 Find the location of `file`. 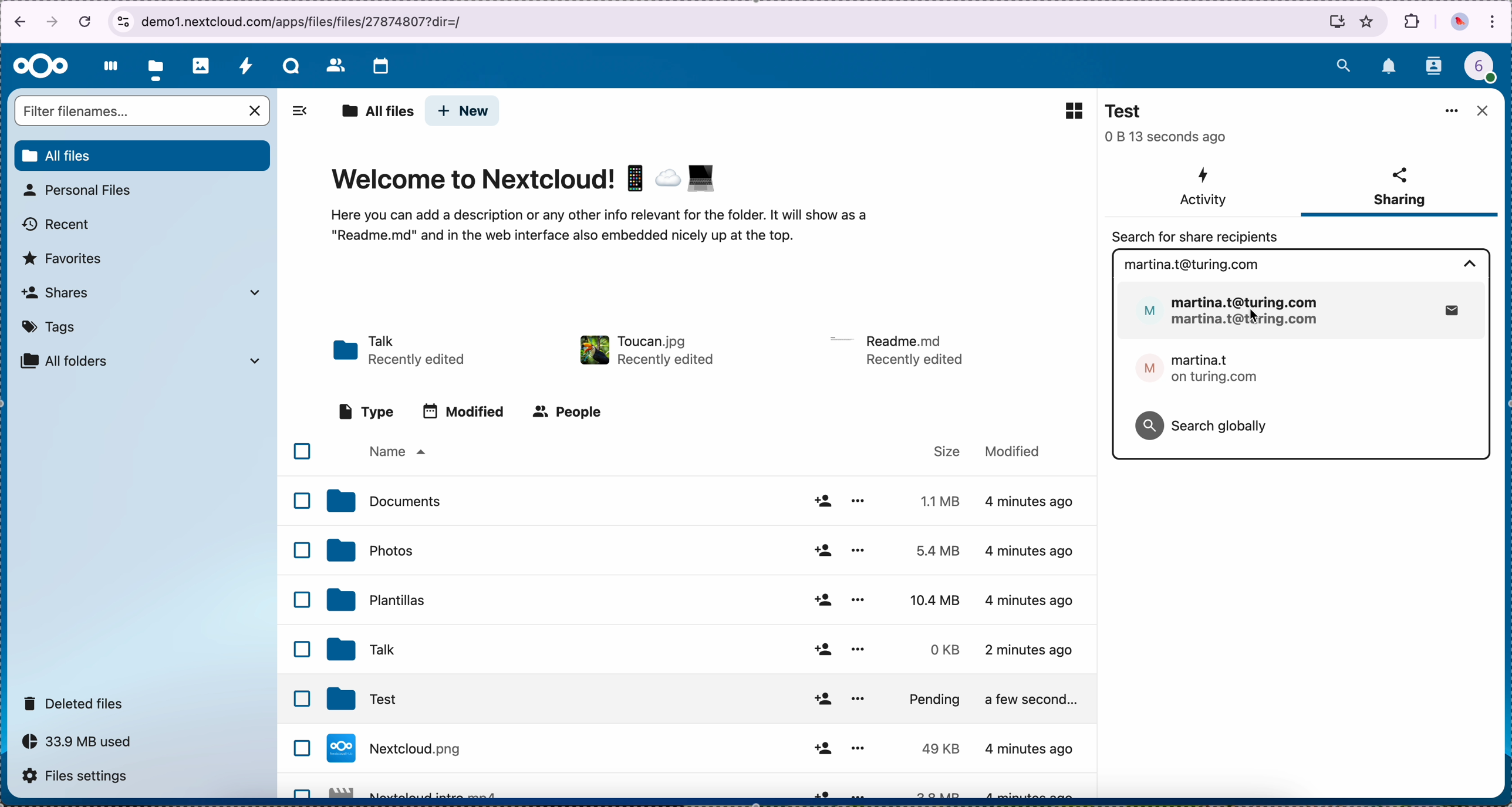

file is located at coordinates (899, 349).